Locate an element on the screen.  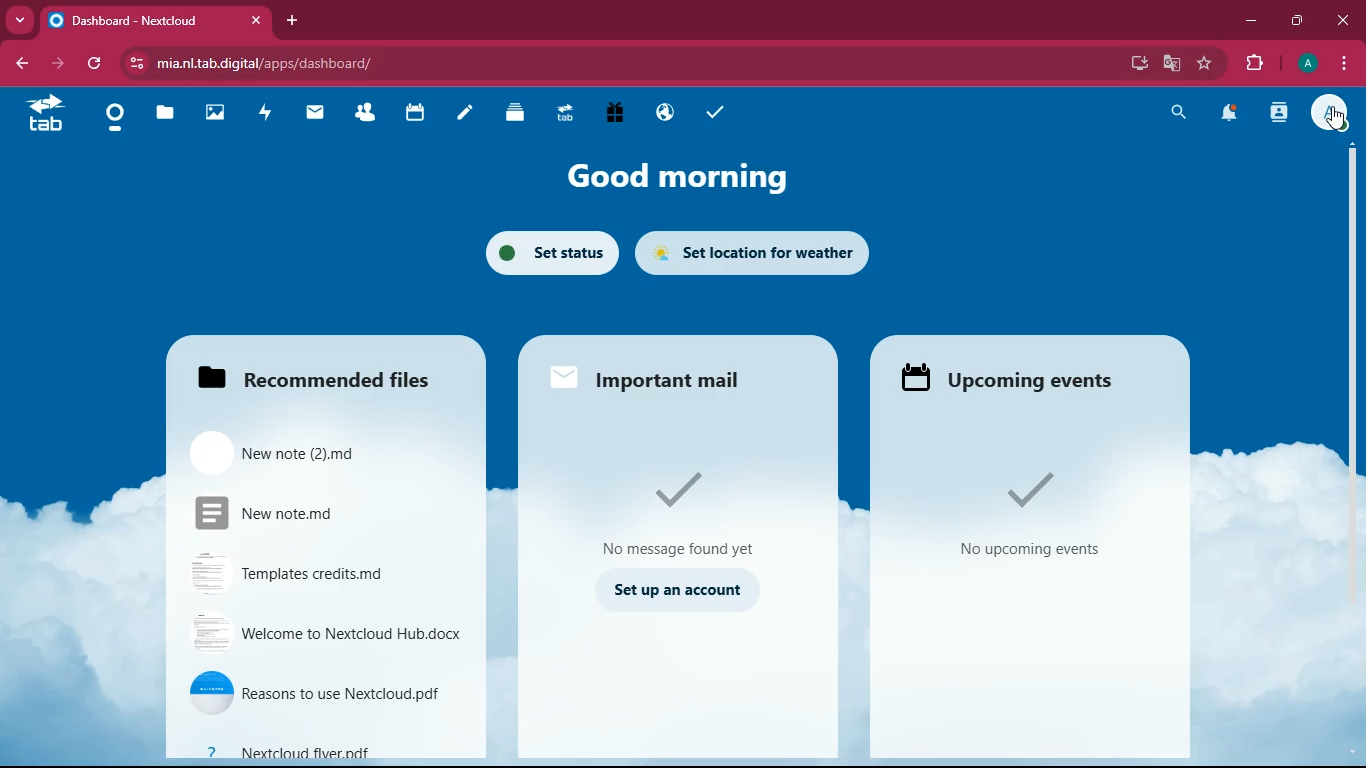
friends is located at coordinates (367, 114).